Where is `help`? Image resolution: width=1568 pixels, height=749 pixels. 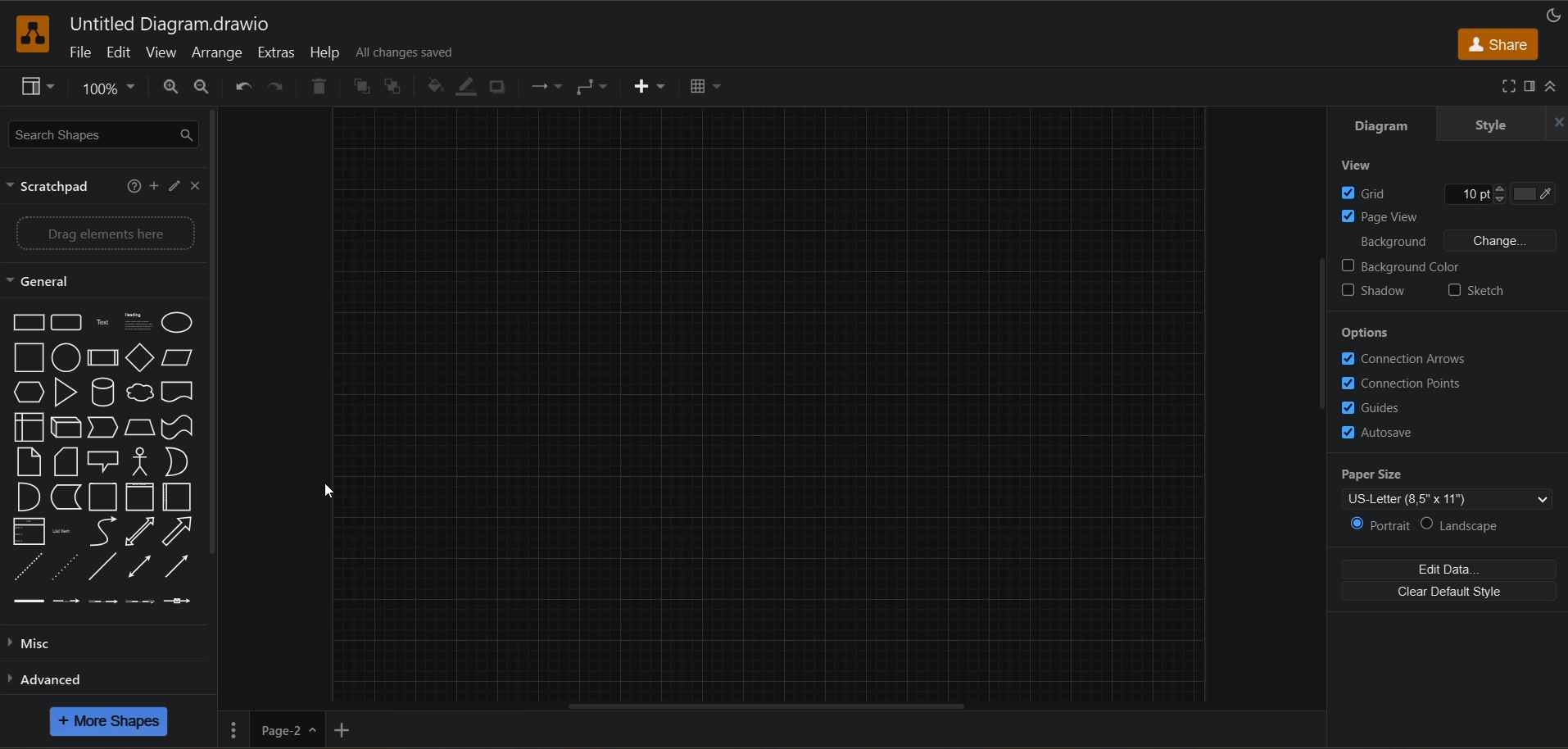 help is located at coordinates (324, 52).